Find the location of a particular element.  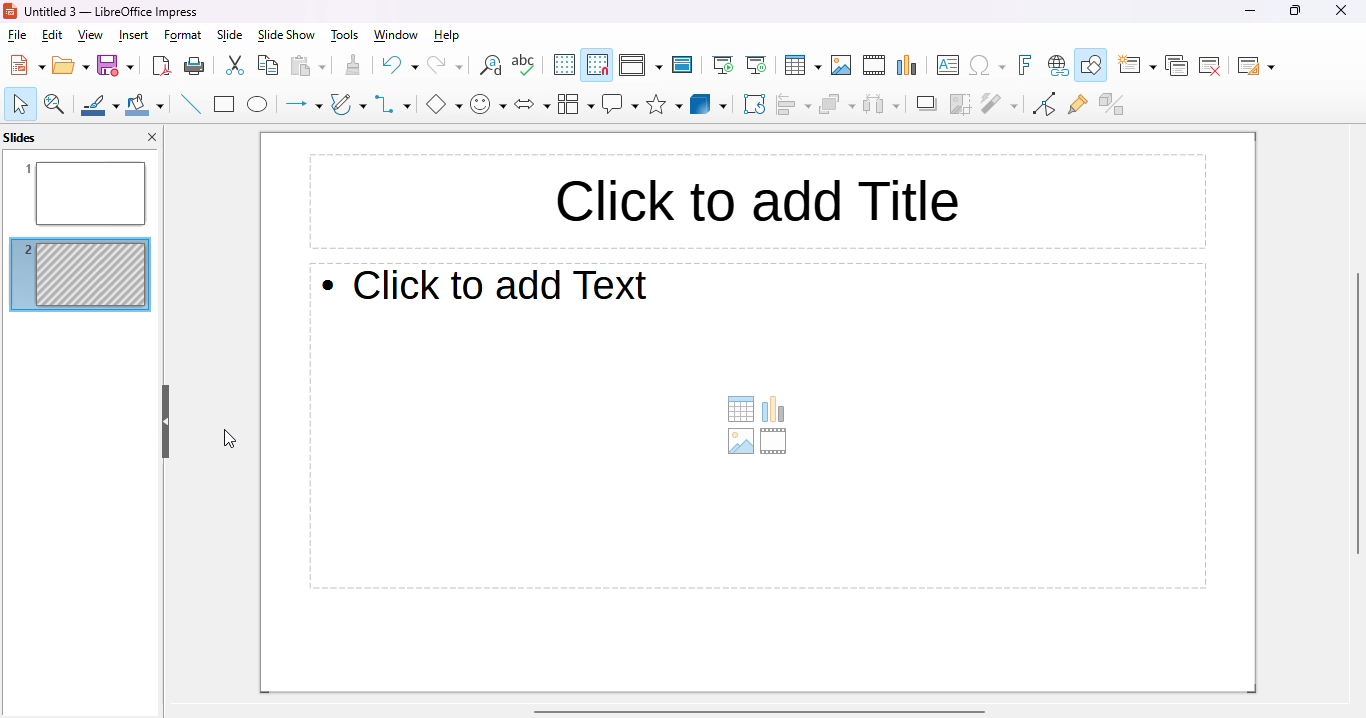

block arrows is located at coordinates (533, 106).